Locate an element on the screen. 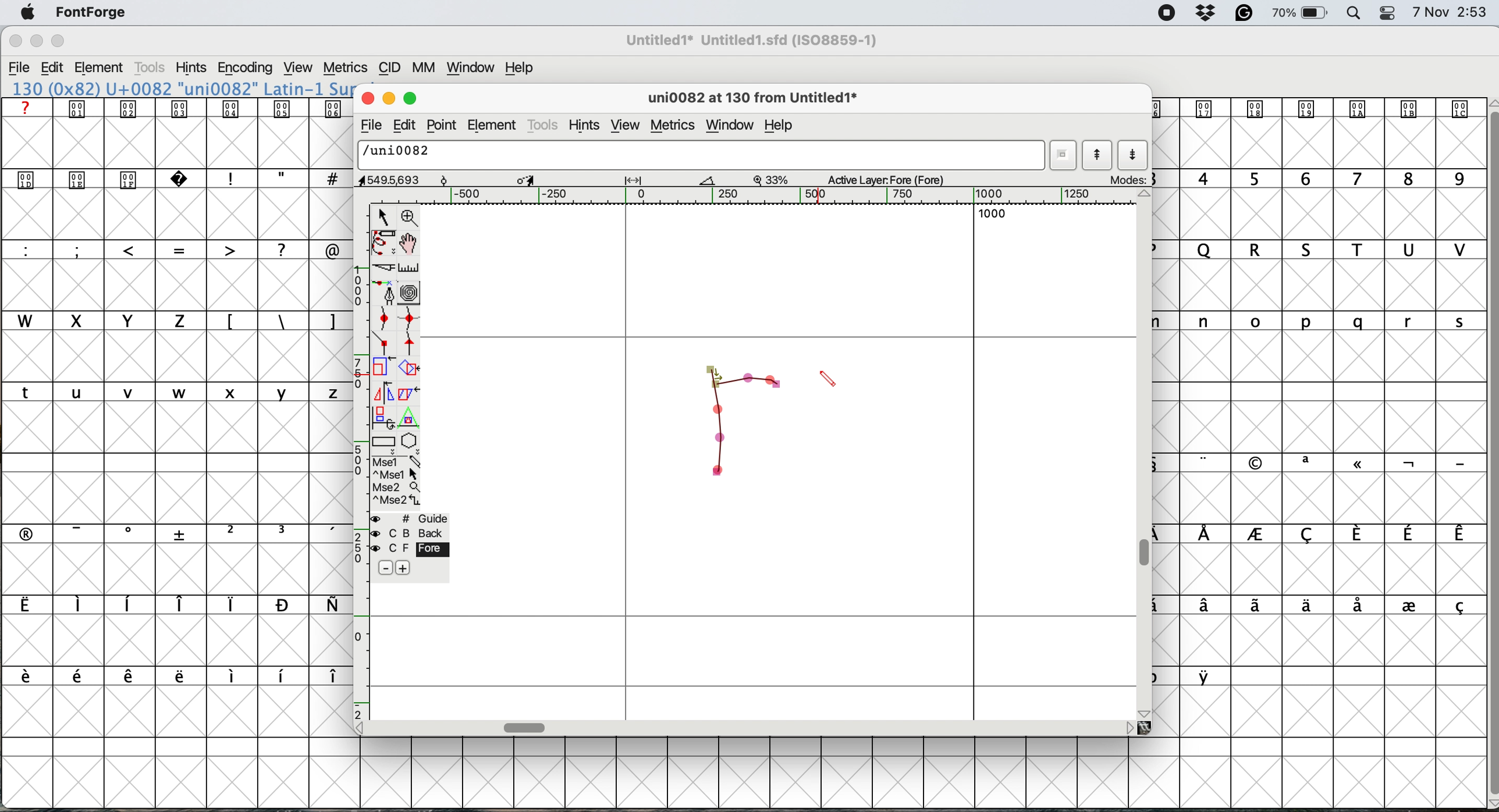 The width and height of the screenshot is (1499, 812). encoding is located at coordinates (244, 69).